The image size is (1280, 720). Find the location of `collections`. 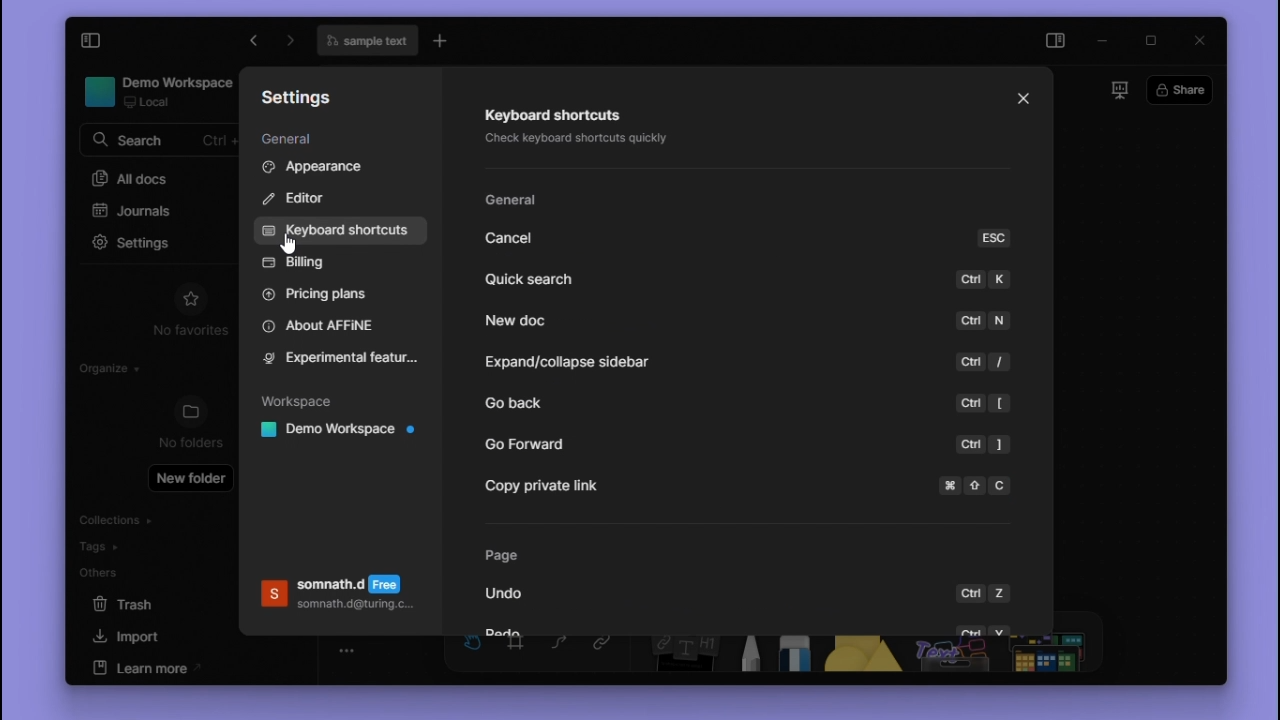

collections is located at coordinates (115, 518).